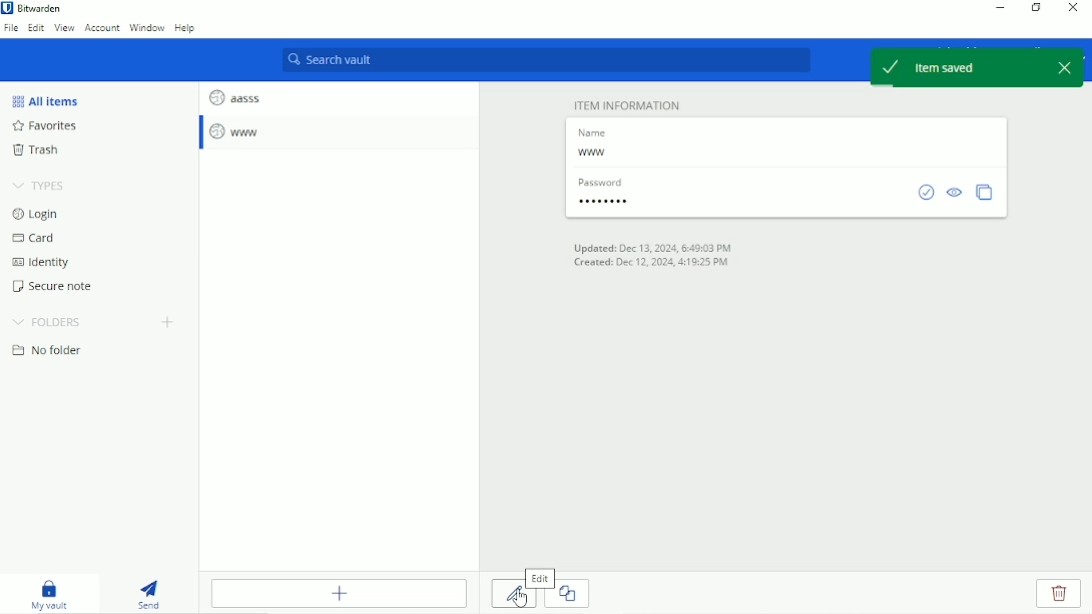  What do you see at coordinates (1058, 595) in the screenshot?
I see `Delete` at bounding box center [1058, 595].